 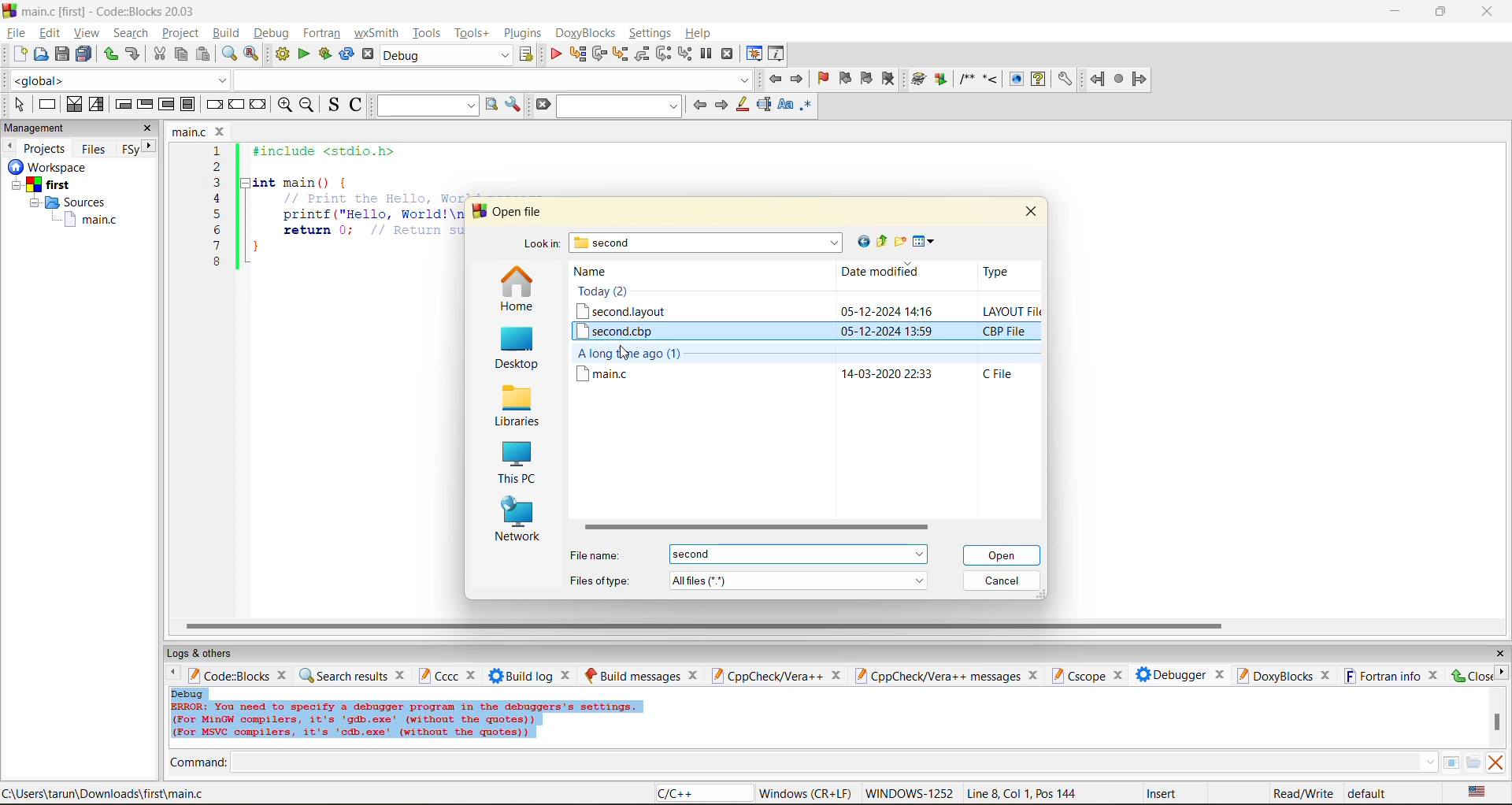 I want to click on 5, so click(x=217, y=213).